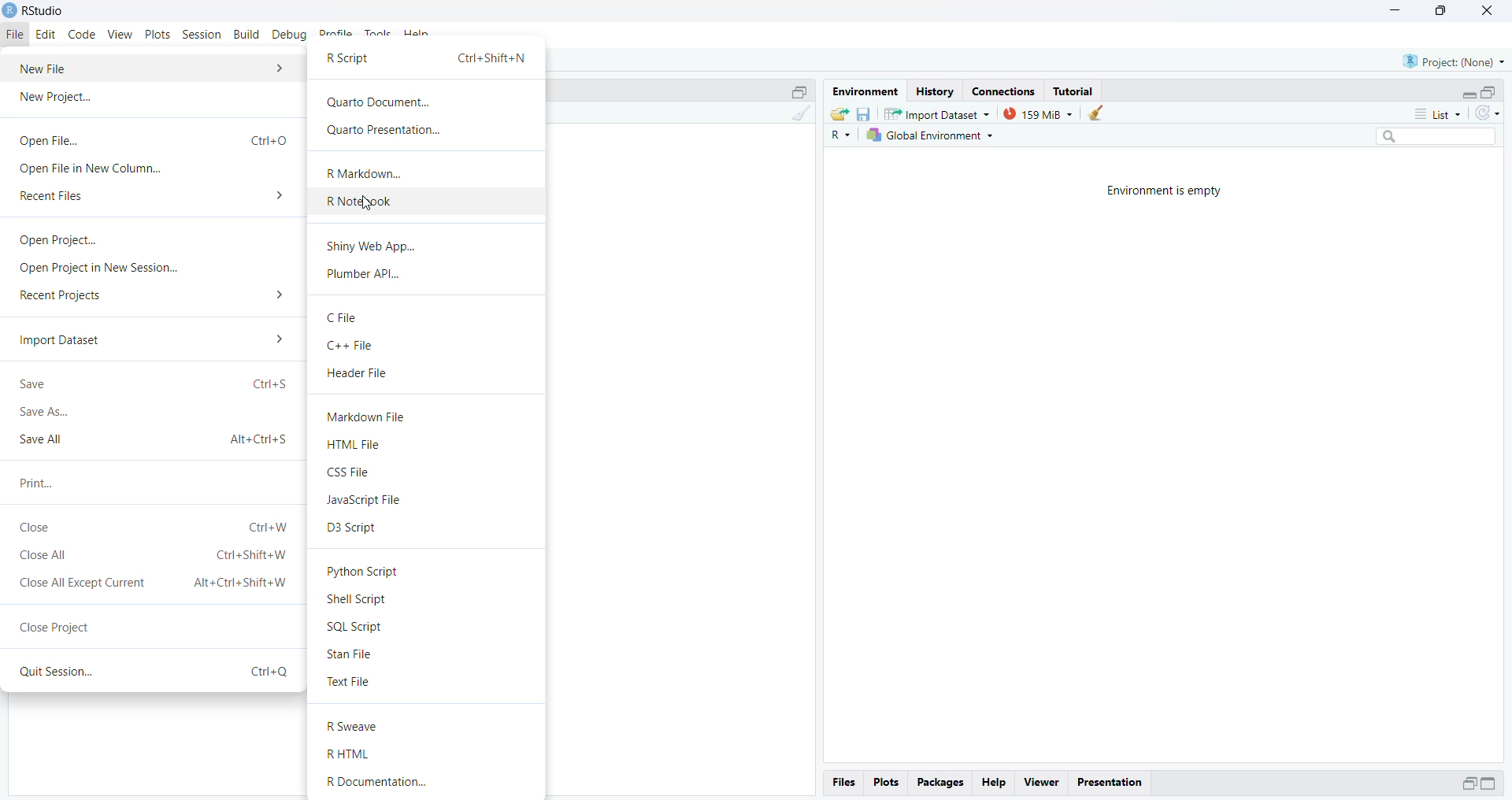  Describe the element at coordinates (35, 10) in the screenshot. I see `Rstudio` at that location.